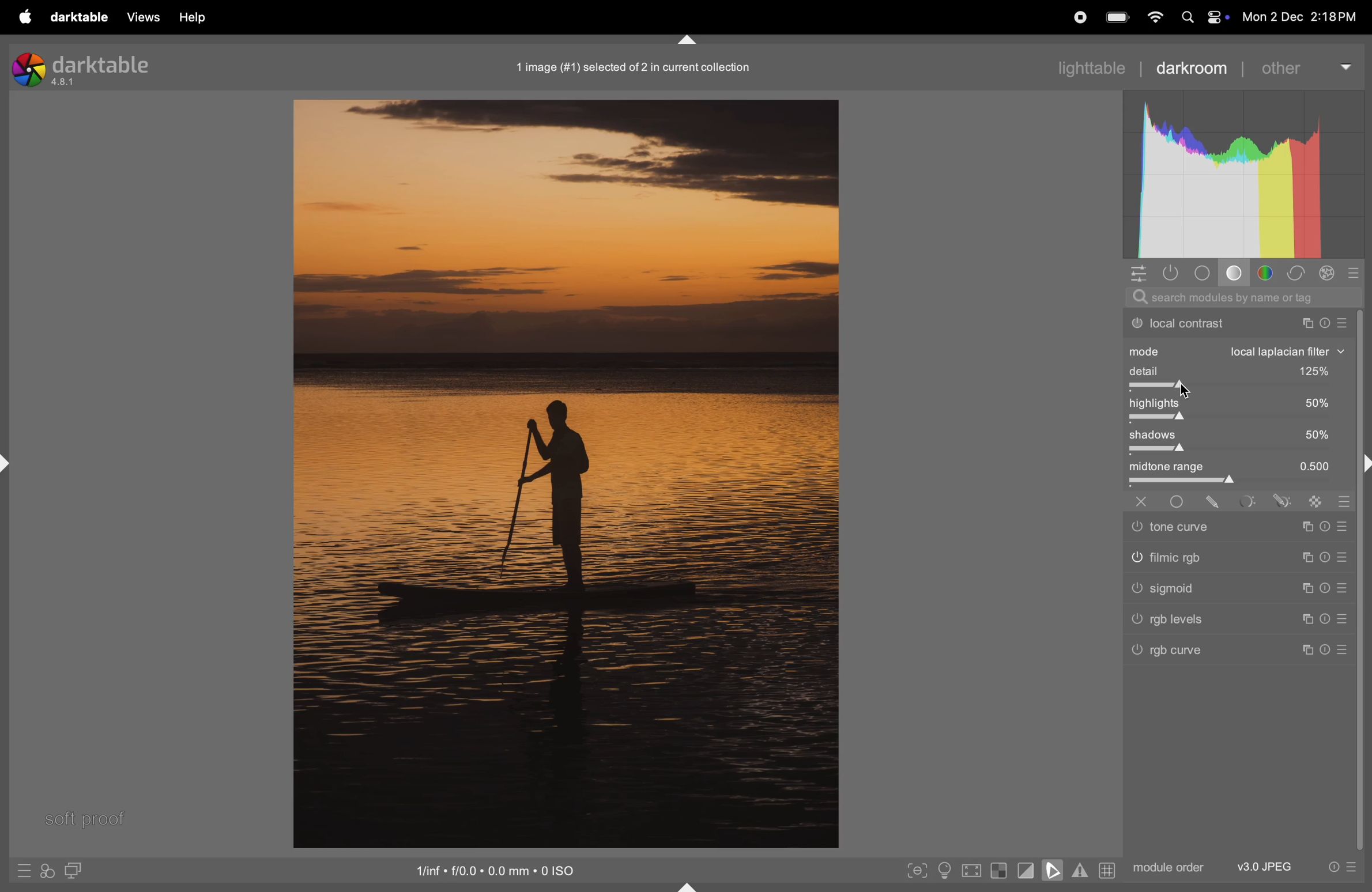  Describe the element at coordinates (1309, 67) in the screenshot. I see `other` at that location.